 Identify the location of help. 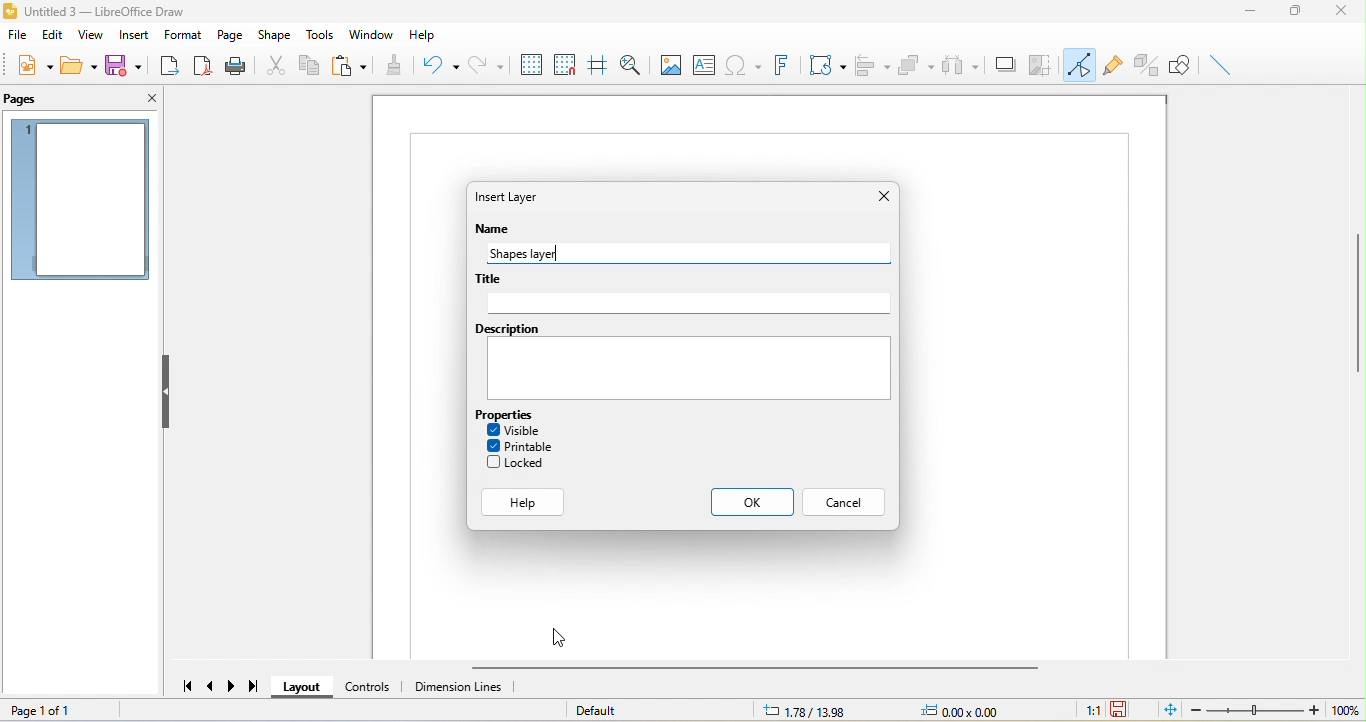
(428, 31).